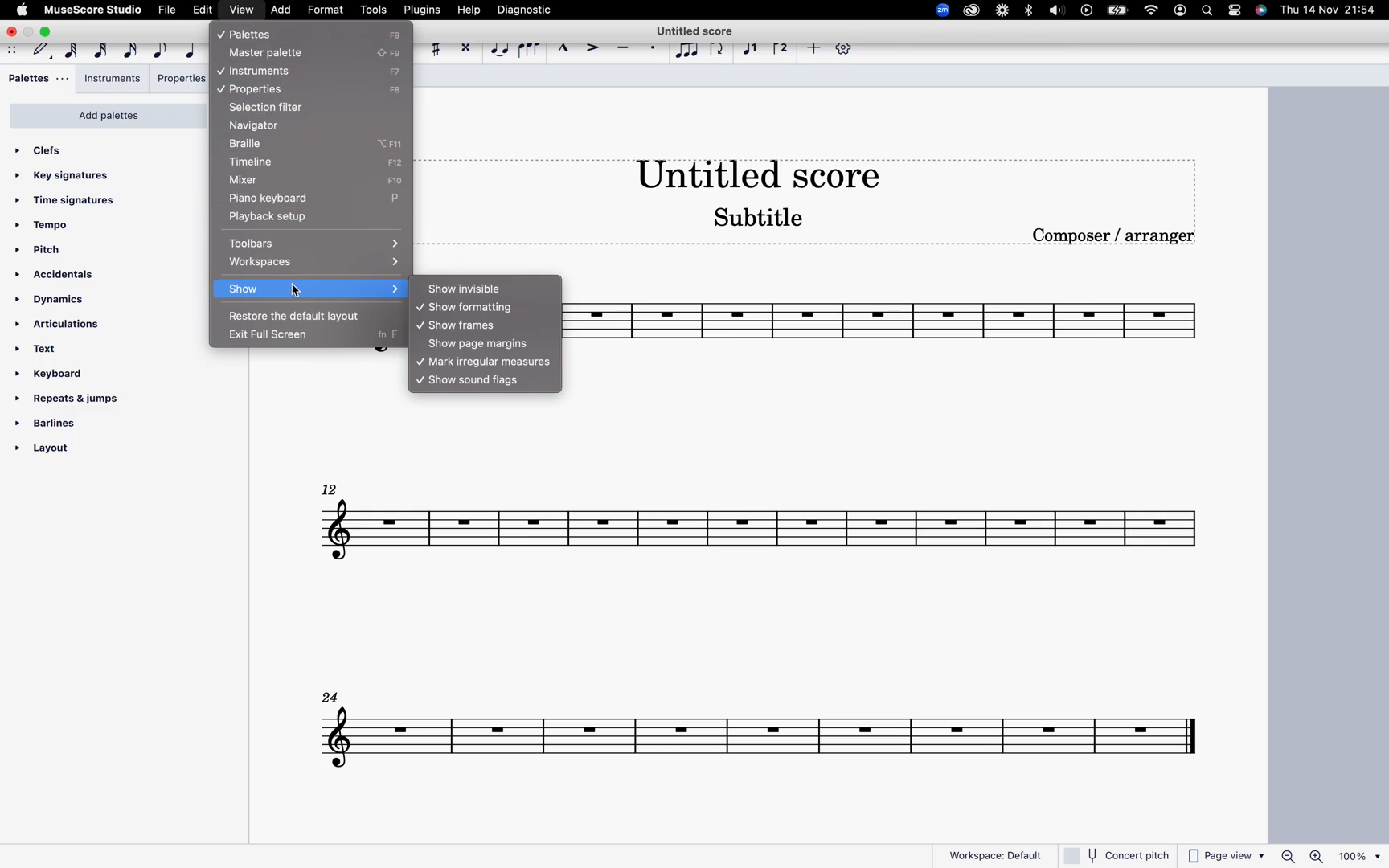 The image size is (1389, 868). I want to click on wifi, so click(1151, 10).